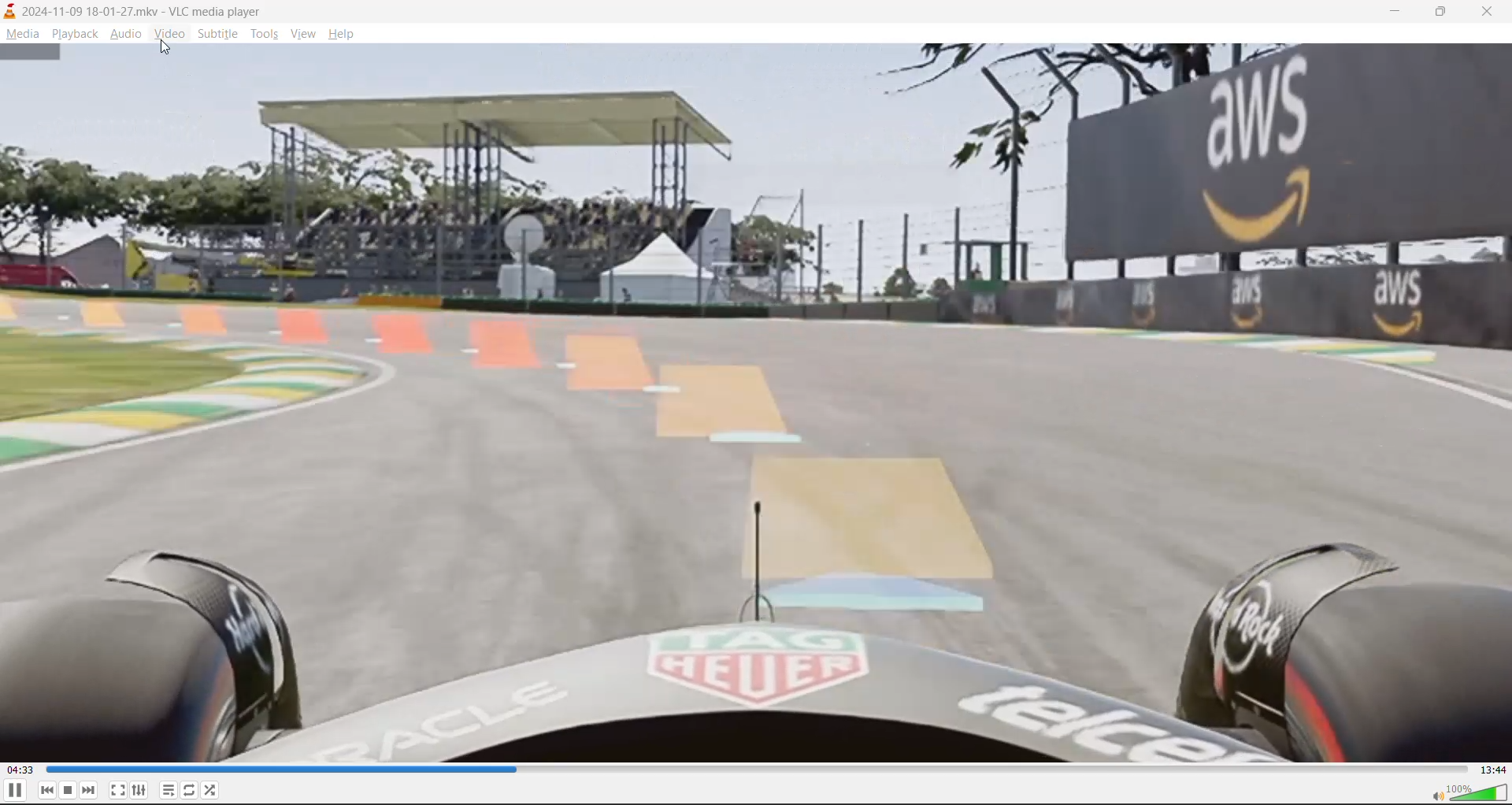  What do you see at coordinates (215, 789) in the screenshot?
I see `random` at bounding box center [215, 789].